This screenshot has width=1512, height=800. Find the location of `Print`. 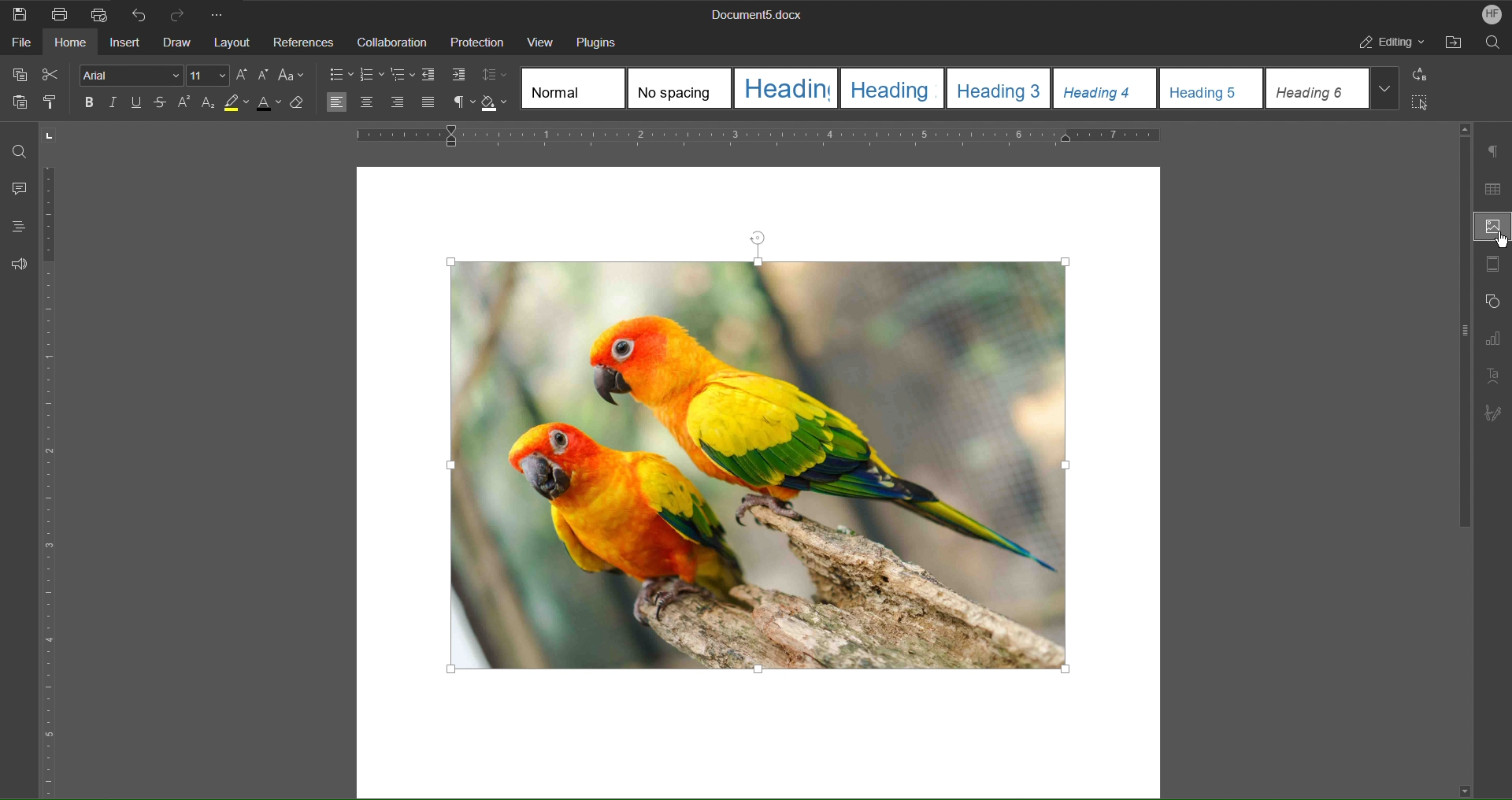

Print is located at coordinates (61, 14).